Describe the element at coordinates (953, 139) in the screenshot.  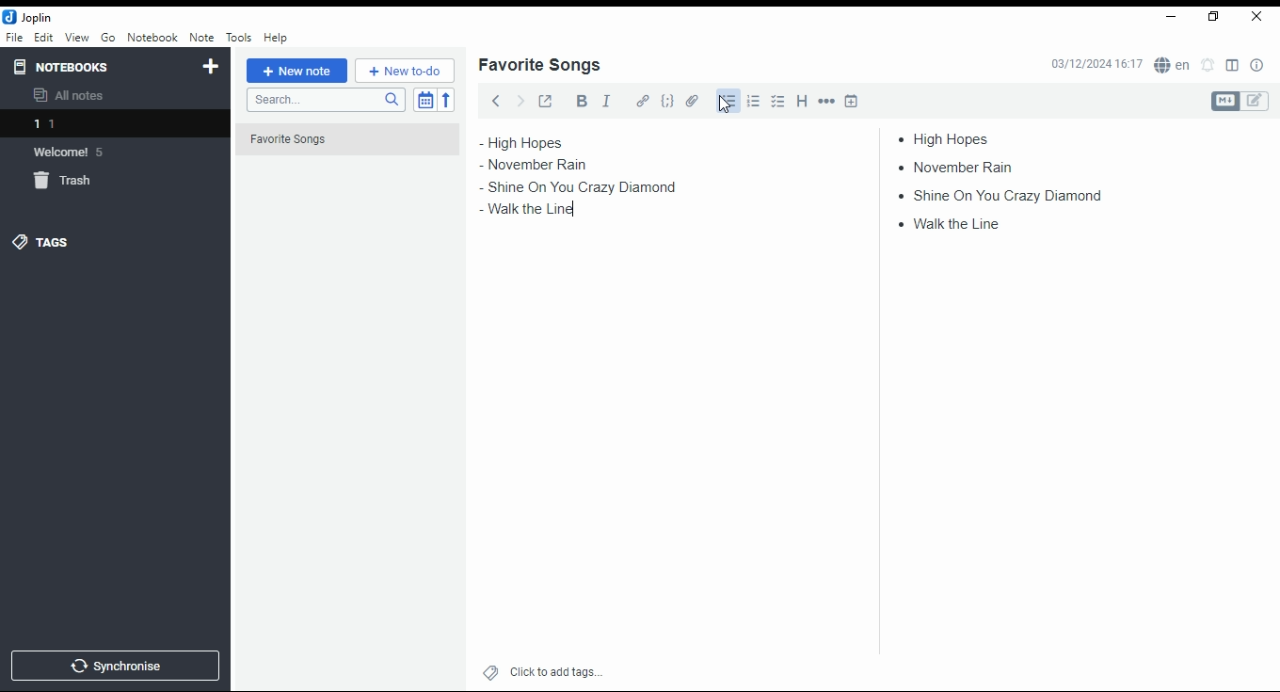
I see `high hopes` at that location.